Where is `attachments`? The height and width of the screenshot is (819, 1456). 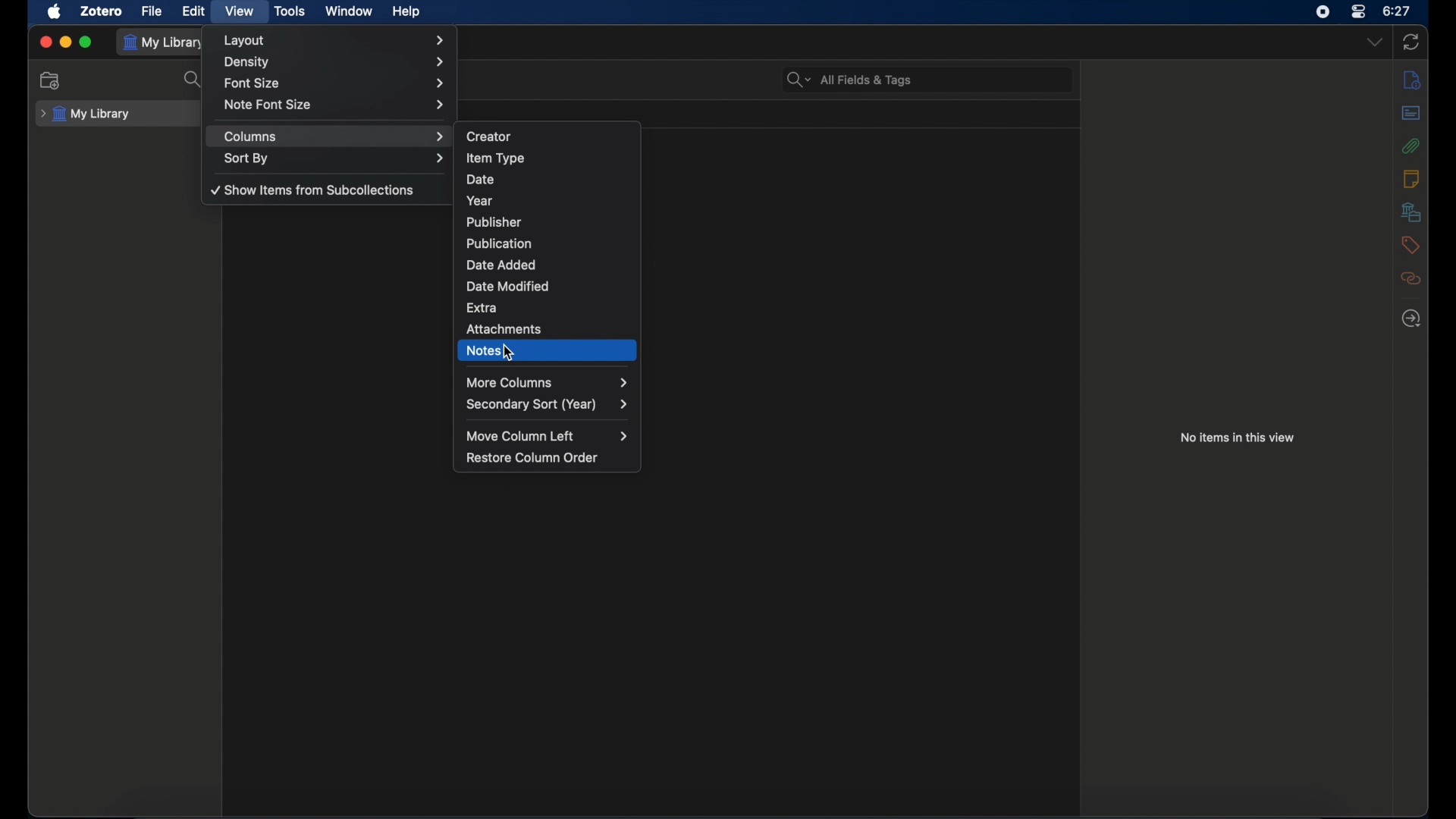 attachments is located at coordinates (1410, 146).